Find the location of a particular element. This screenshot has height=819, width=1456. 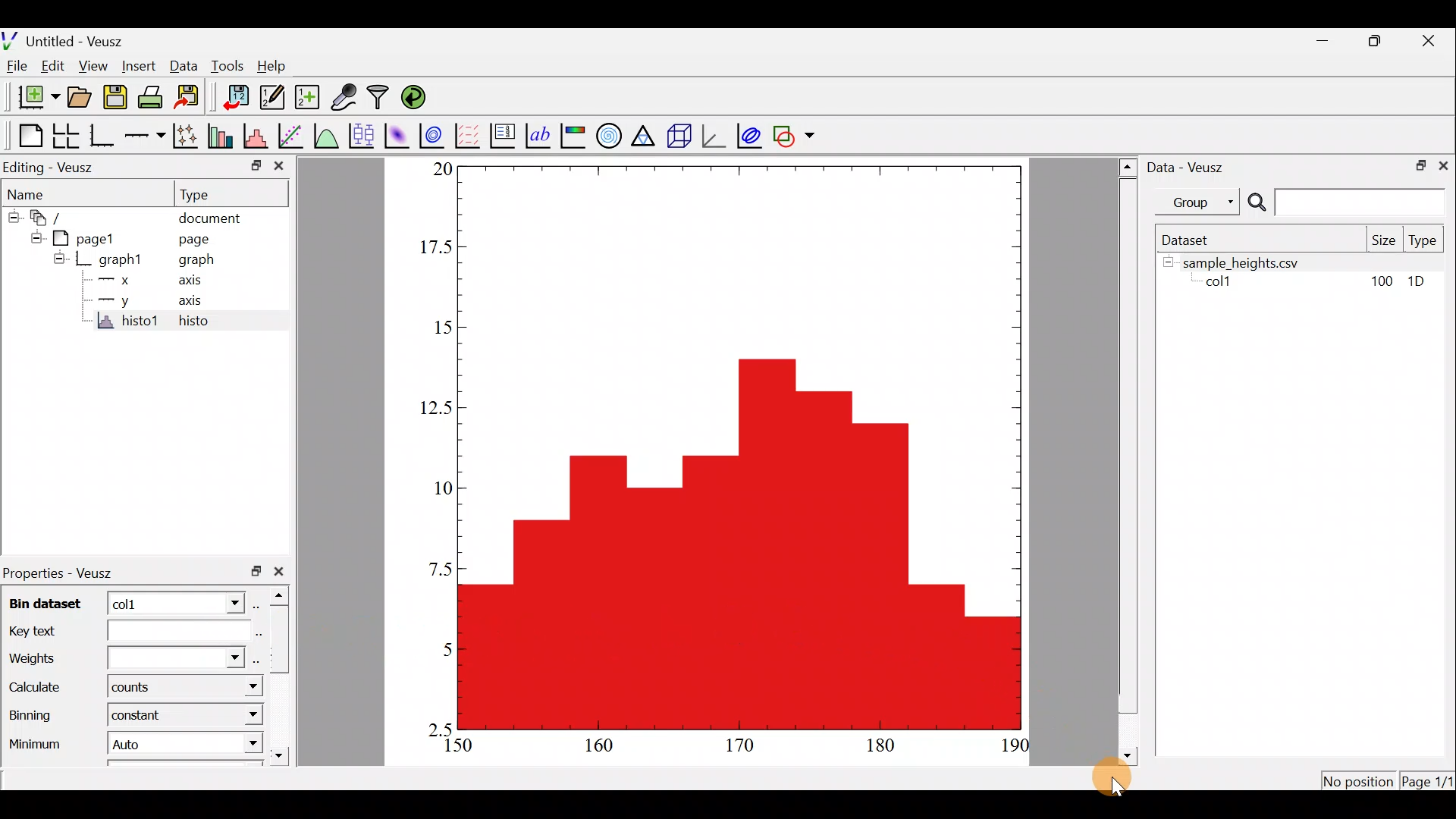

open a document is located at coordinates (78, 99).